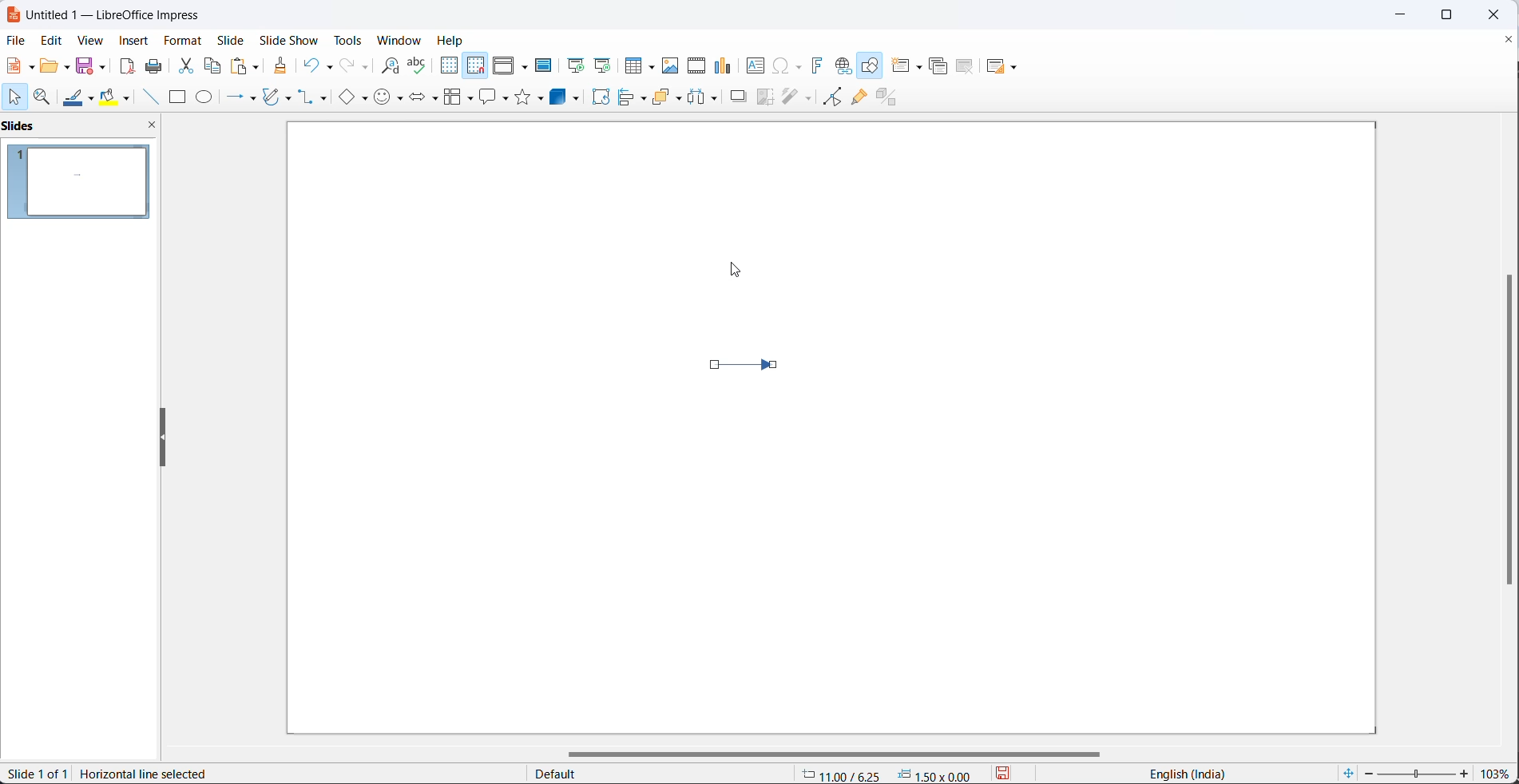  What do you see at coordinates (492, 97) in the screenshot?
I see `callout shapes` at bounding box center [492, 97].